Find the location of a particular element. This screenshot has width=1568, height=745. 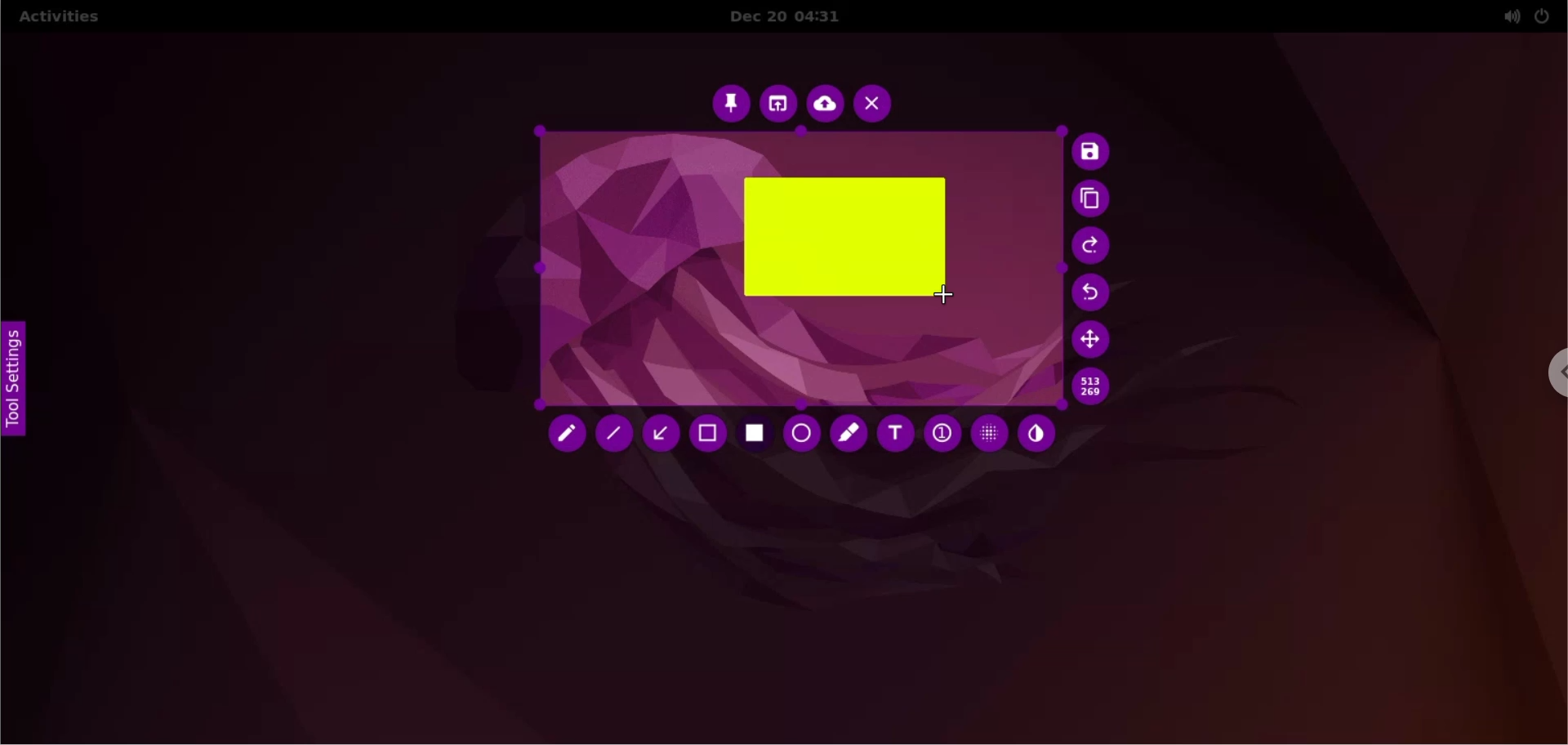

pixelette is located at coordinates (989, 434).